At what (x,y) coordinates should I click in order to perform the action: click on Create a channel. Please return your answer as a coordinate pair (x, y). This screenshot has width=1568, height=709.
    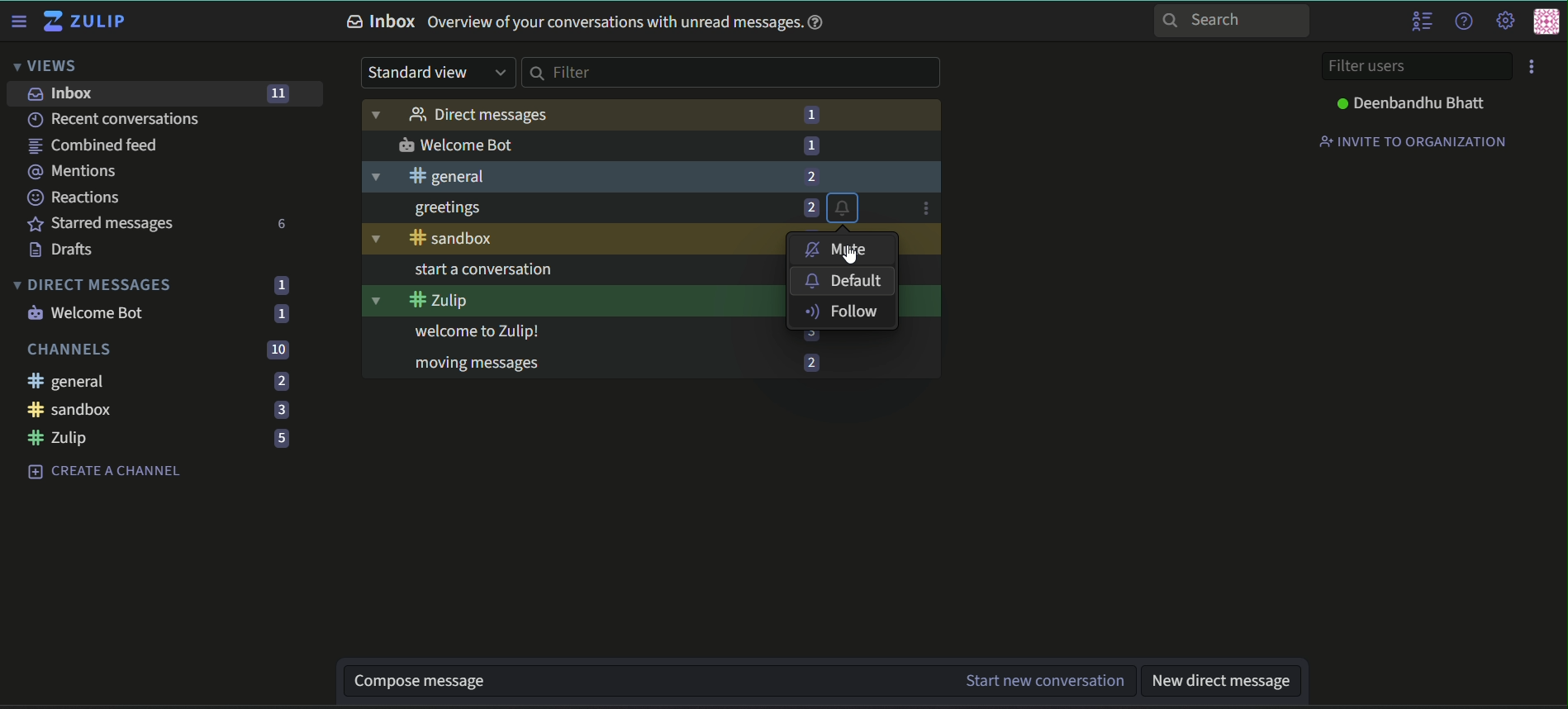
    Looking at the image, I should click on (105, 472).